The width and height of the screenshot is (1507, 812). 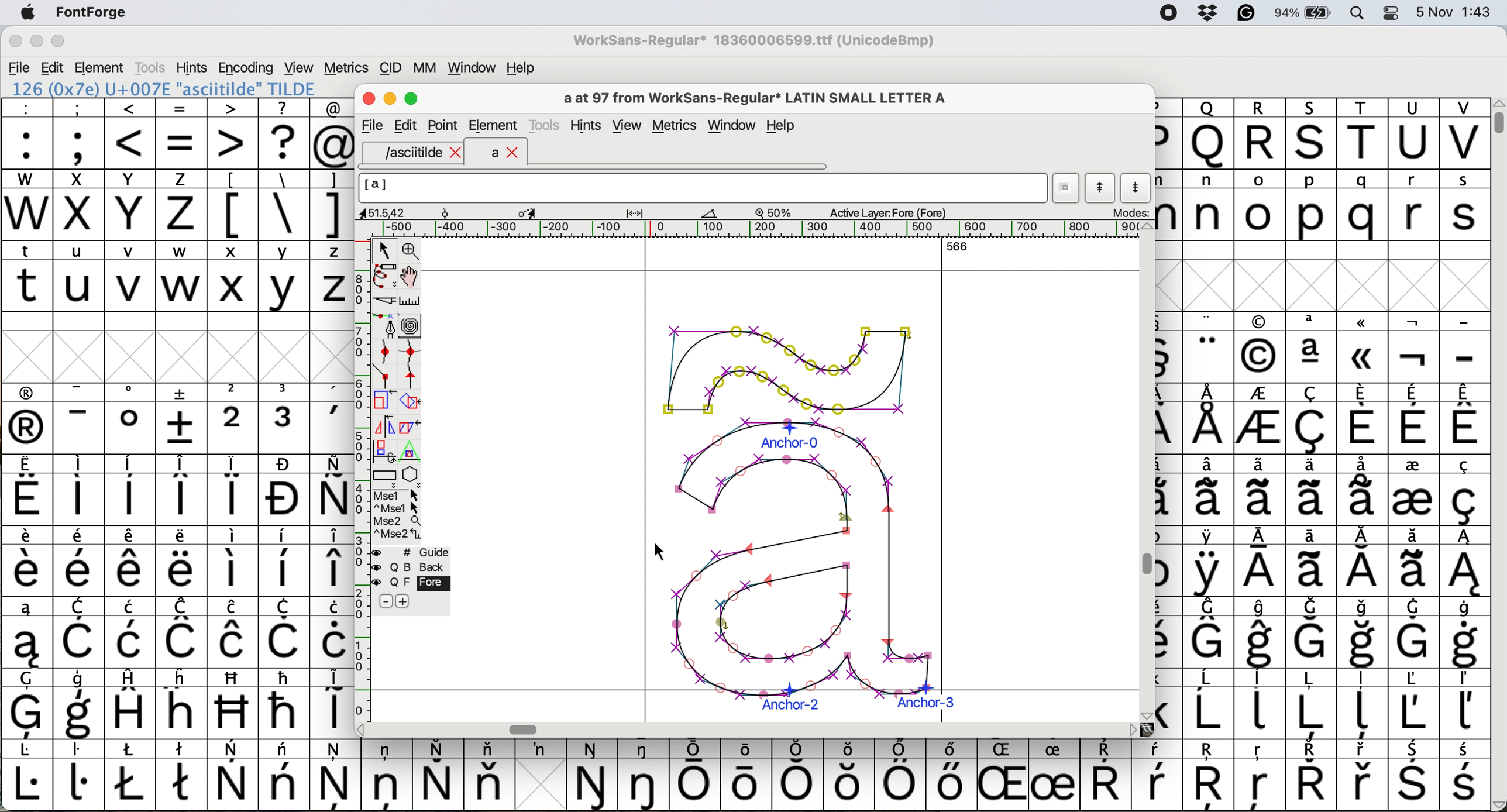 What do you see at coordinates (1245, 15) in the screenshot?
I see `grammarly` at bounding box center [1245, 15].